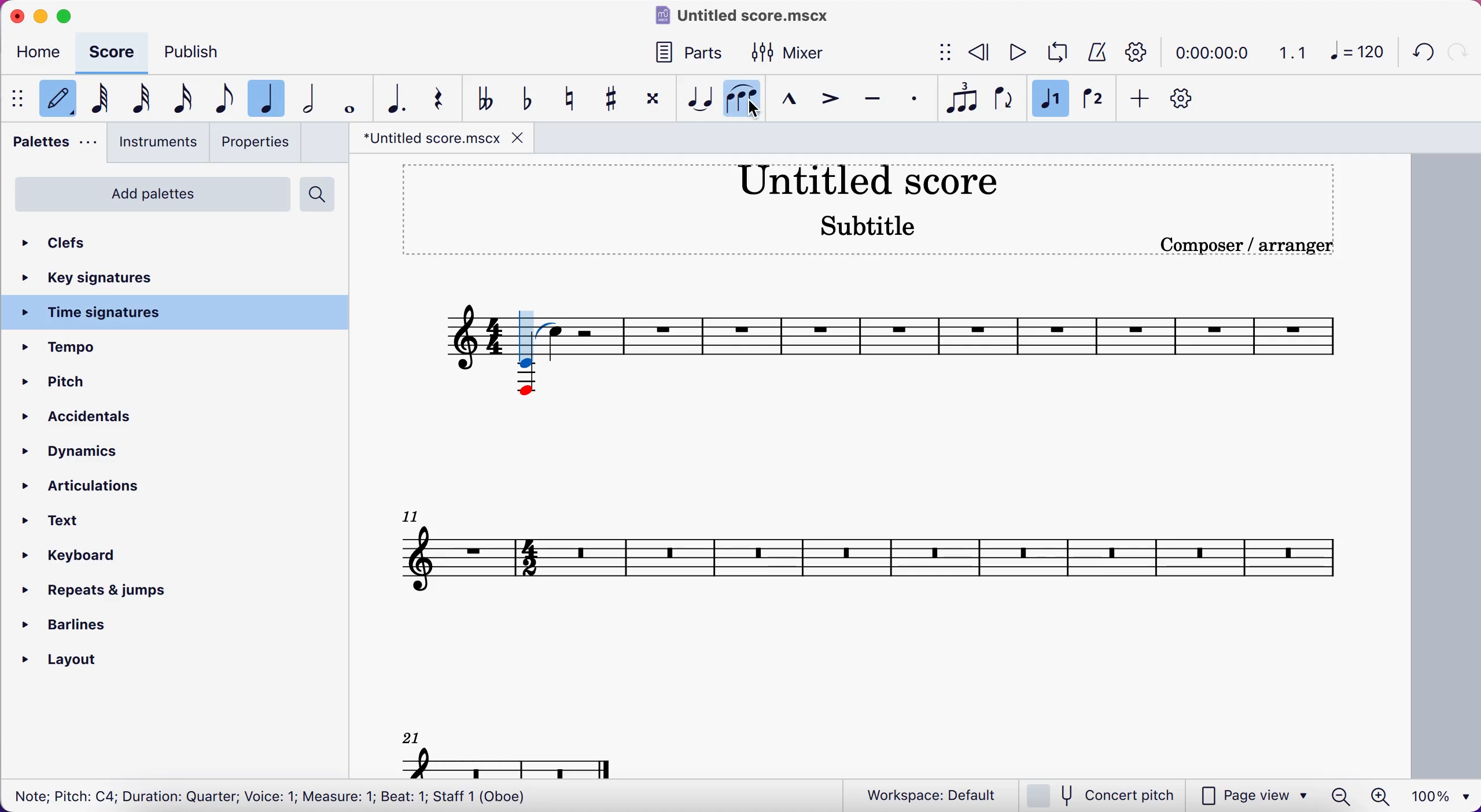 This screenshot has height=812, width=1481. What do you see at coordinates (611, 101) in the screenshot?
I see `toggle sharp` at bounding box center [611, 101].